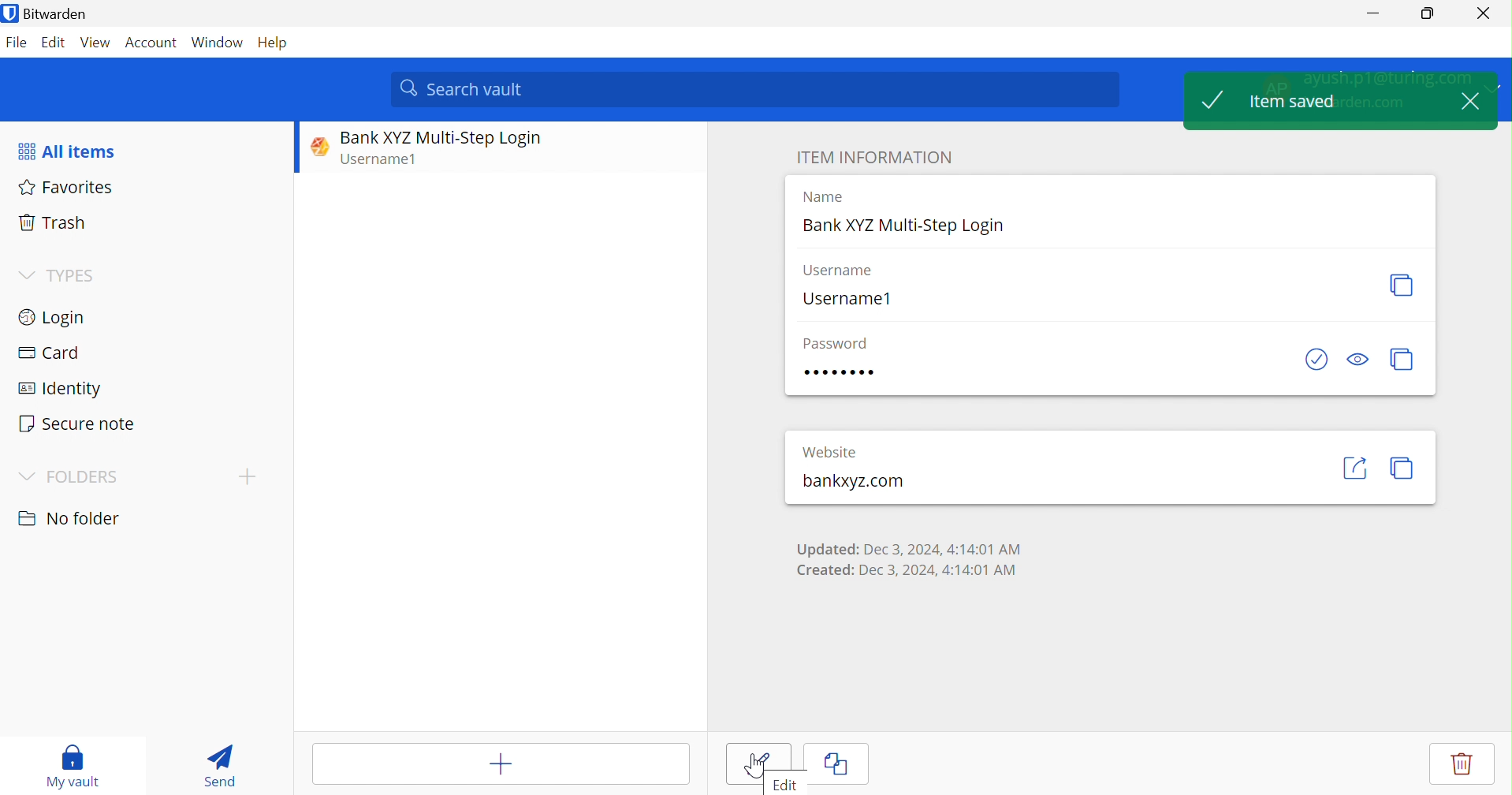  Describe the element at coordinates (26, 476) in the screenshot. I see `Drop Down` at that location.